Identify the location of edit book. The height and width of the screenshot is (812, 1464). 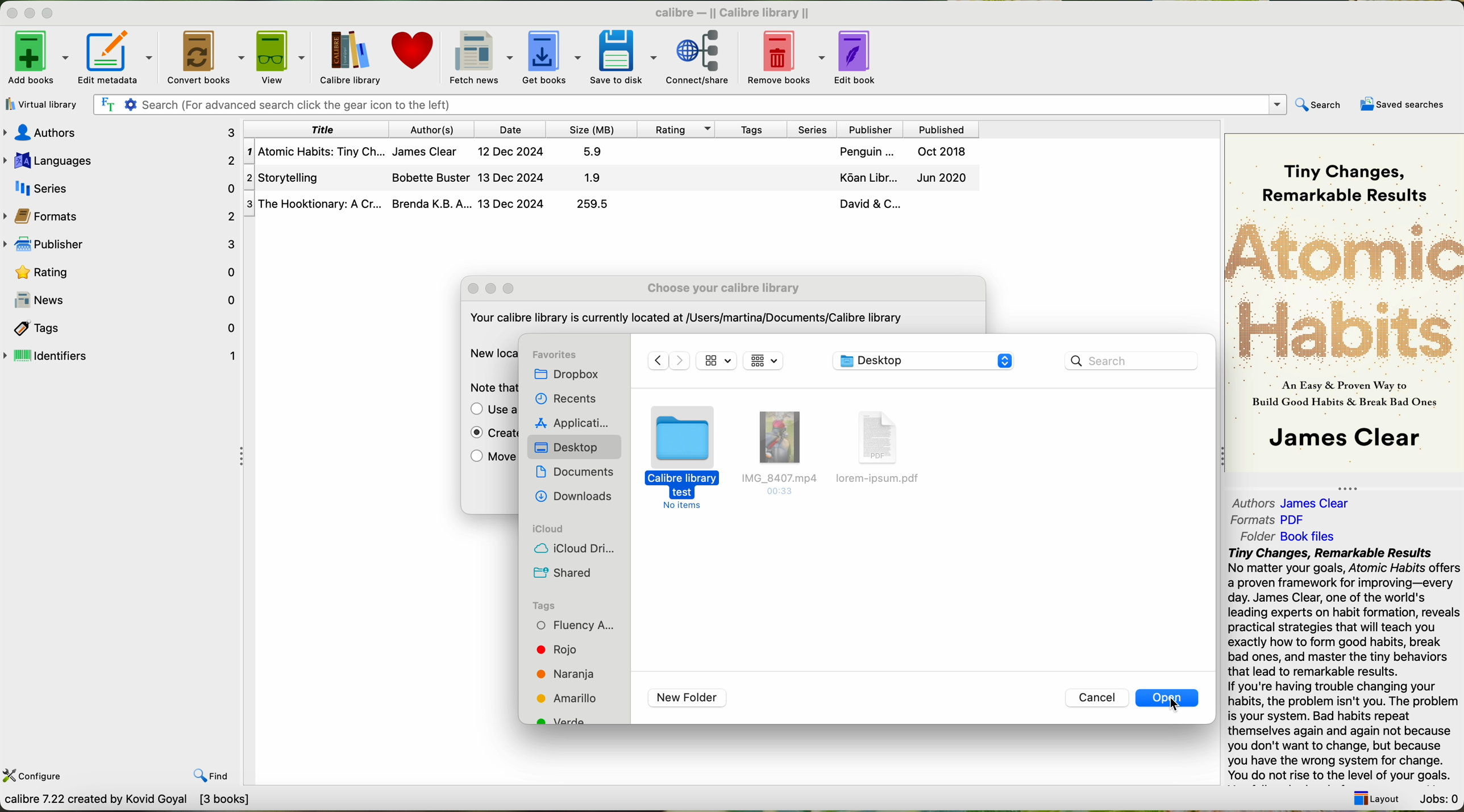
(860, 55).